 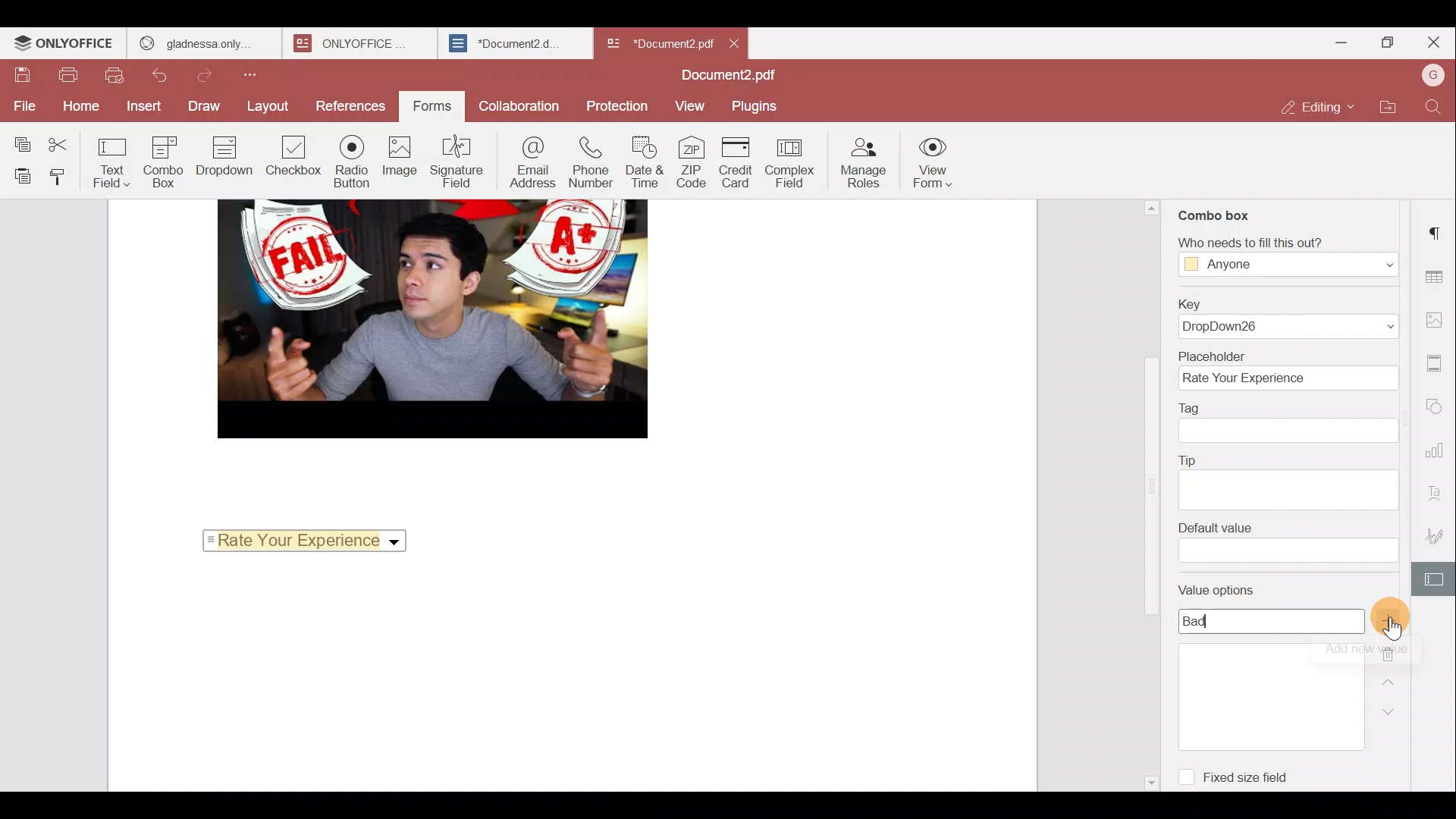 What do you see at coordinates (350, 43) in the screenshot?
I see `ONLYOFFICE` at bounding box center [350, 43].